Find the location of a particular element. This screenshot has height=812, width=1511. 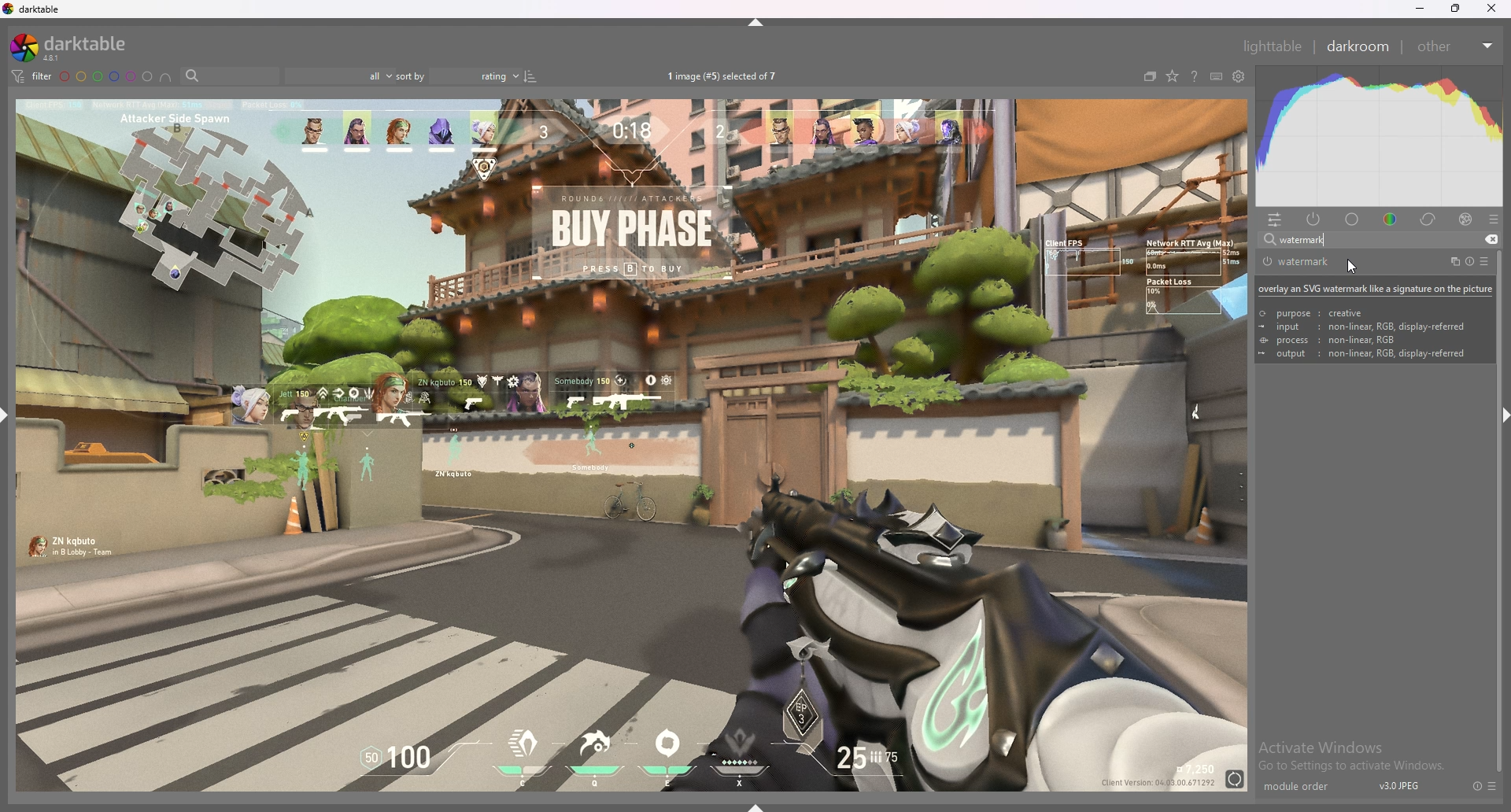

correct is located at coordinates (1429, 219).